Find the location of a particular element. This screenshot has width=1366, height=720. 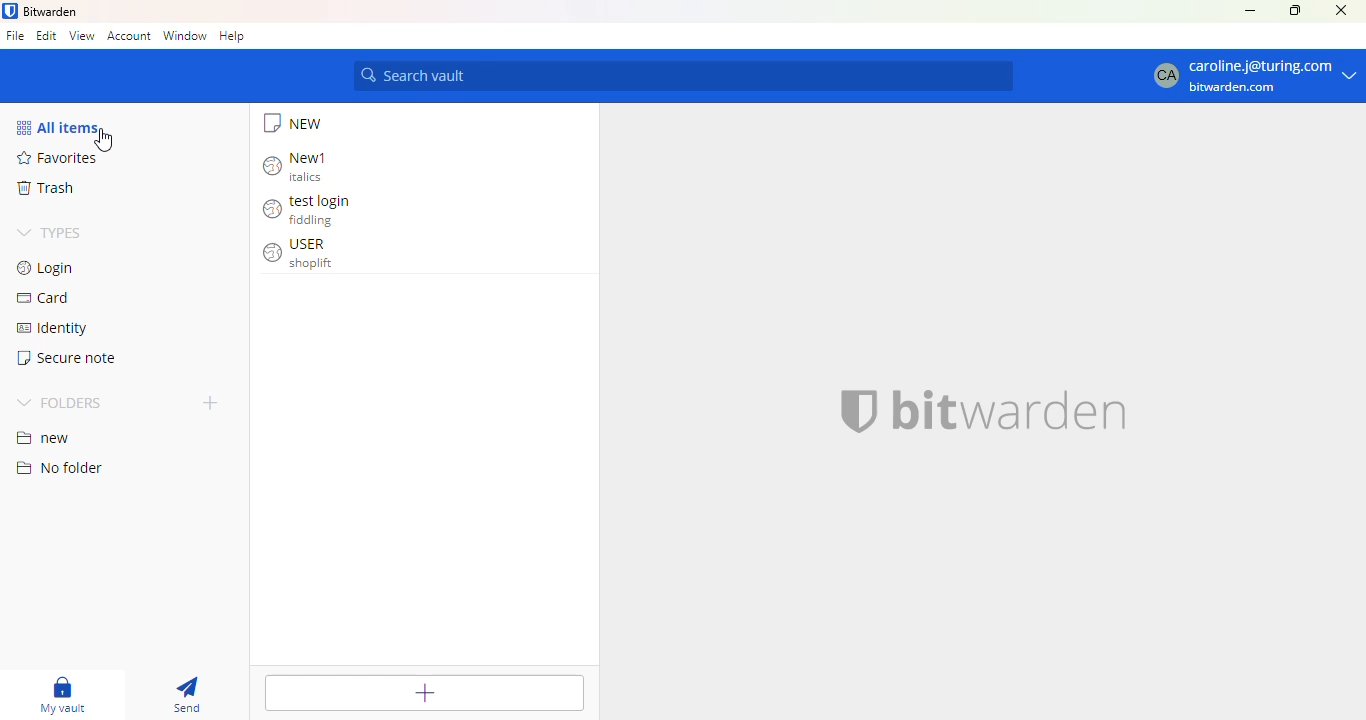

logo is located at coordinates (10, 11).